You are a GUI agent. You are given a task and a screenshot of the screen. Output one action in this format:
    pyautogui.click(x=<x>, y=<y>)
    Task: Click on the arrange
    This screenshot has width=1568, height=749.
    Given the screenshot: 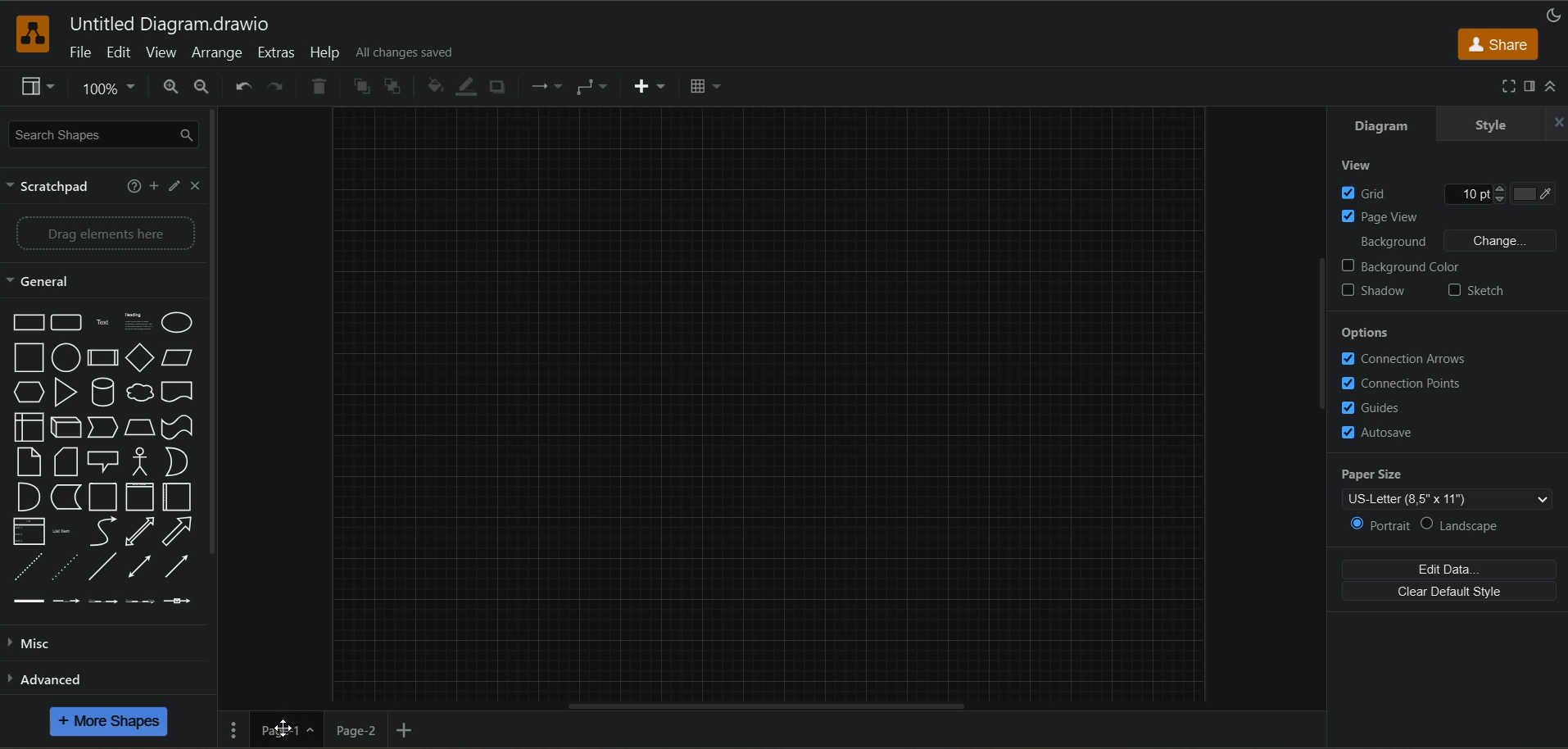 What is the action you would take?
    pyautogui.click(x=218, y=53)
    